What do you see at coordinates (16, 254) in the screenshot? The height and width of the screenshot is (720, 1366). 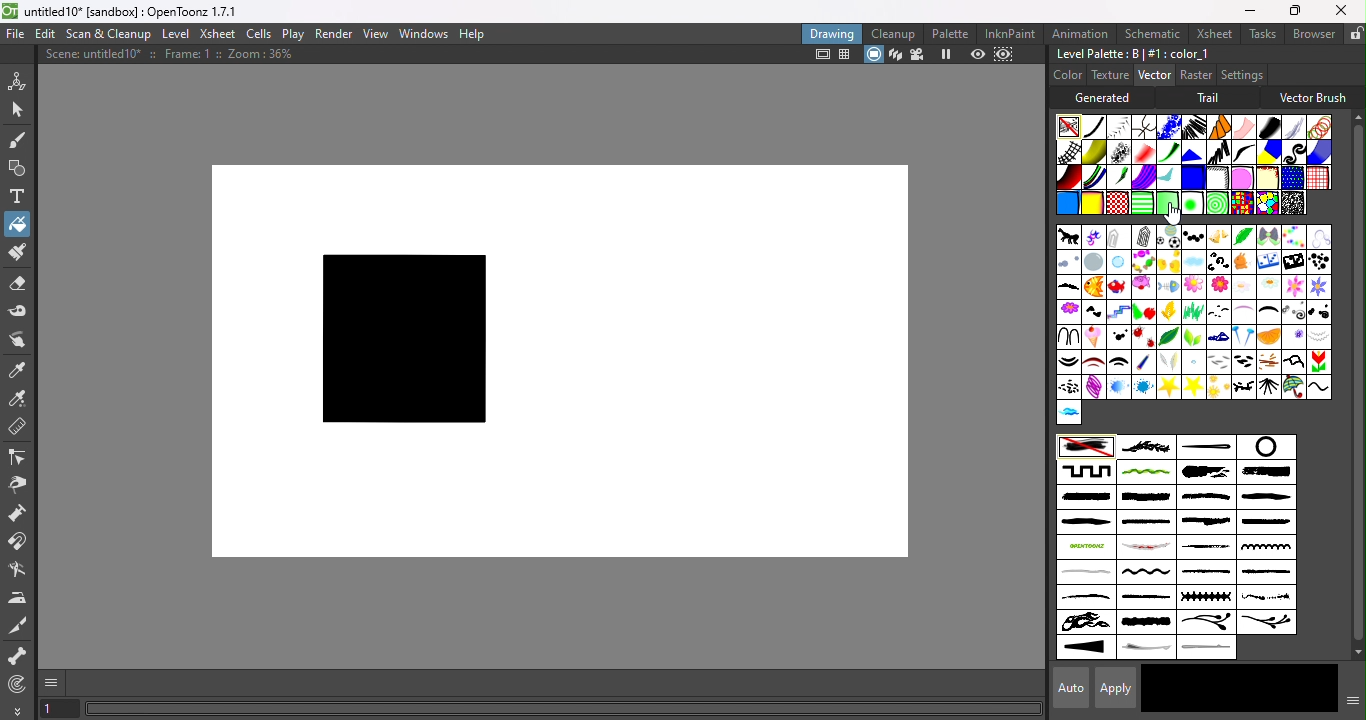 I see `Paint brush tool` at bounding box center [16, 254].